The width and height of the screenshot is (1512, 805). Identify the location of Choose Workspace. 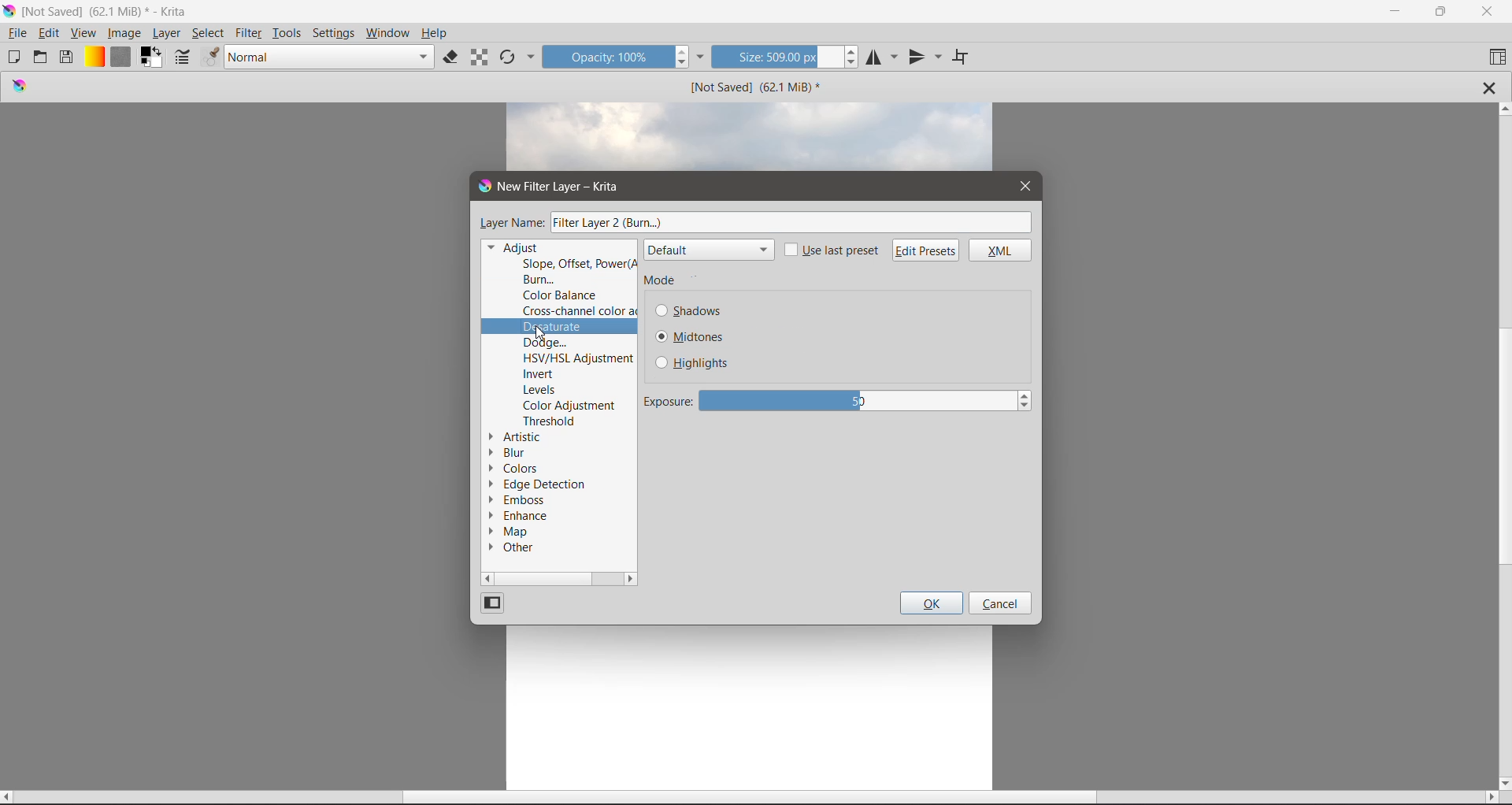
(1495, 57).